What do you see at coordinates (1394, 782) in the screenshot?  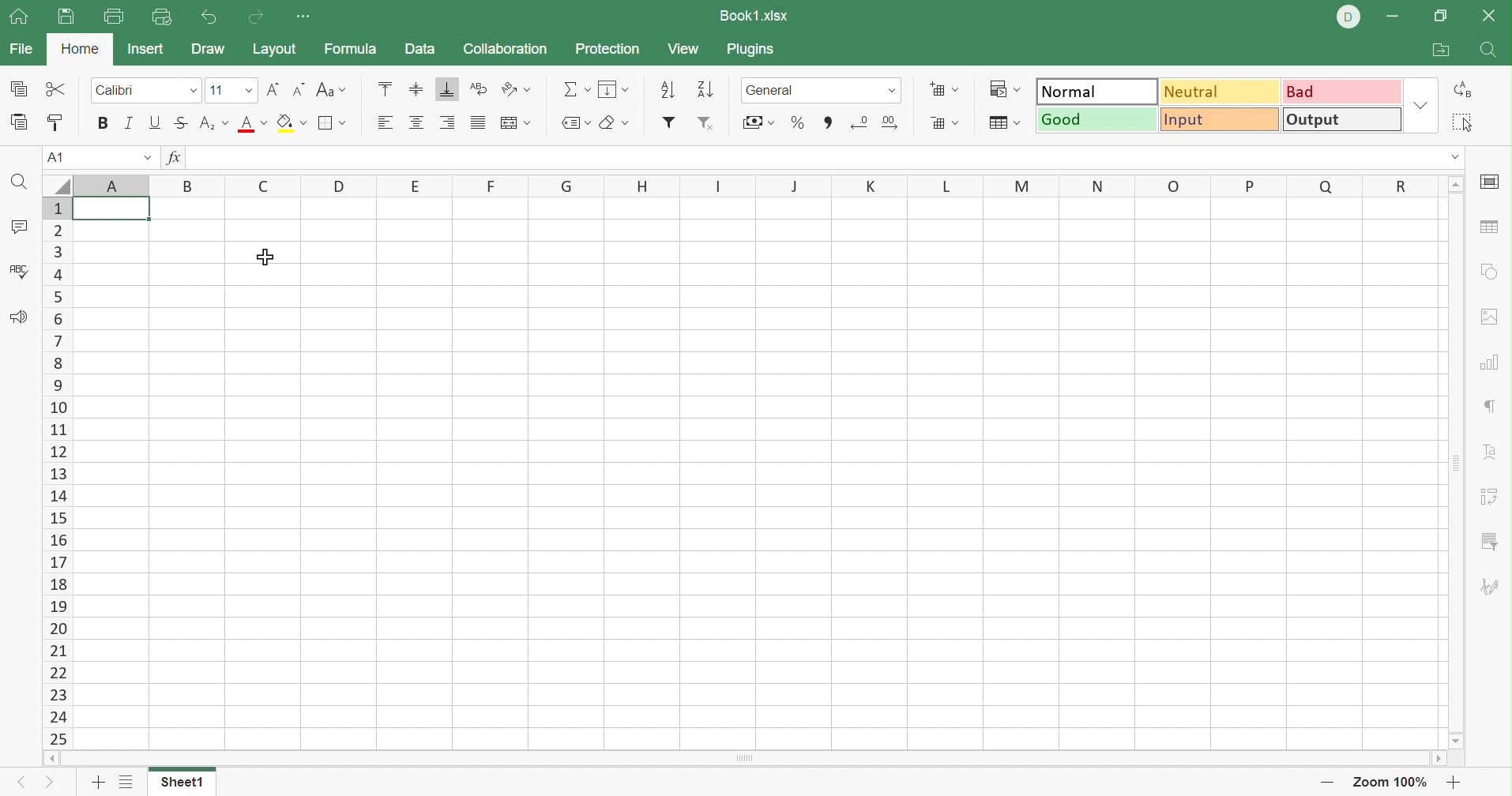 I see `Zoom 100%` at bounding box center [1394, 782].